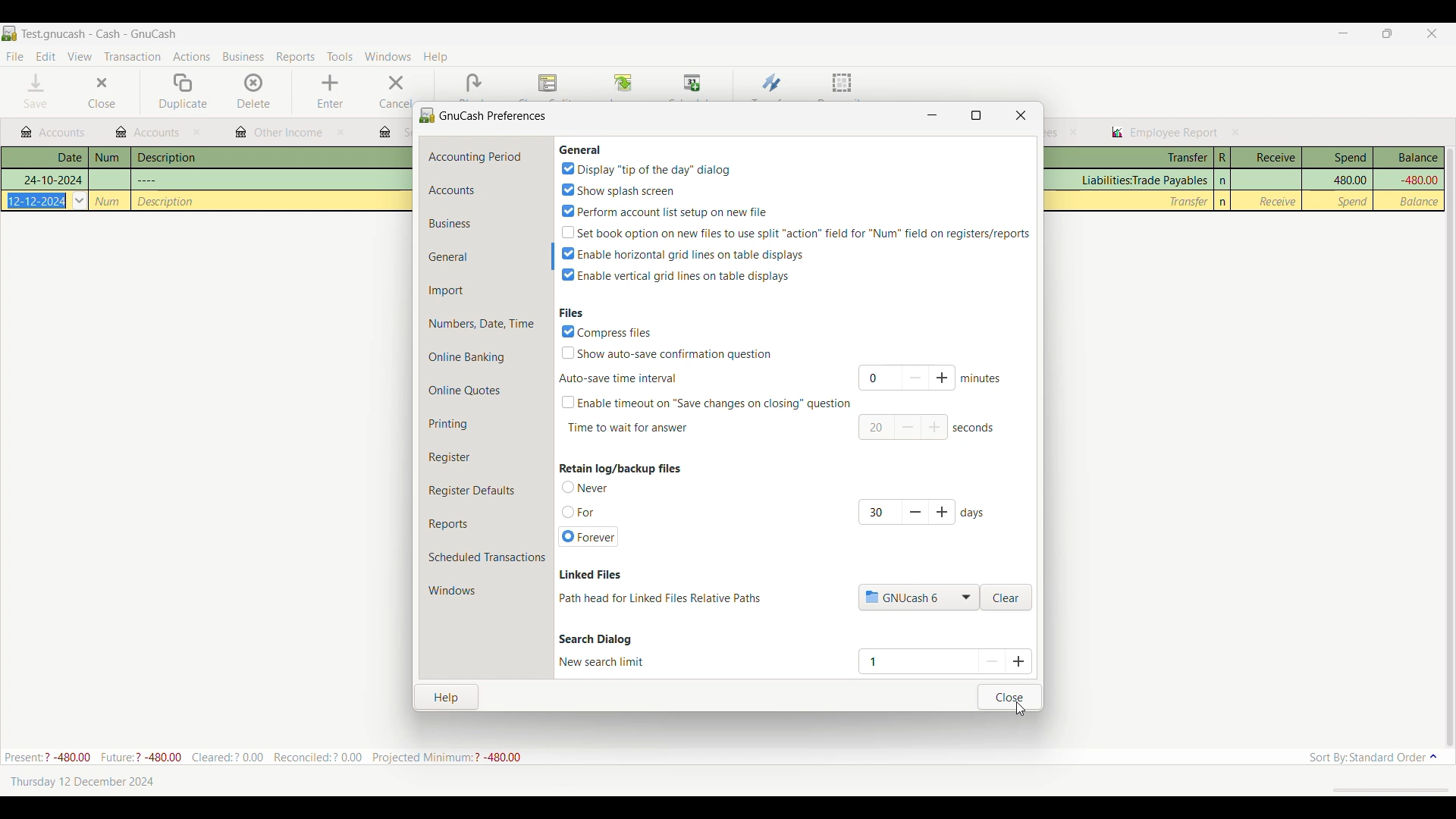 This screenshot has width=1456, height=819. I want to click on for, so click(581, 513).